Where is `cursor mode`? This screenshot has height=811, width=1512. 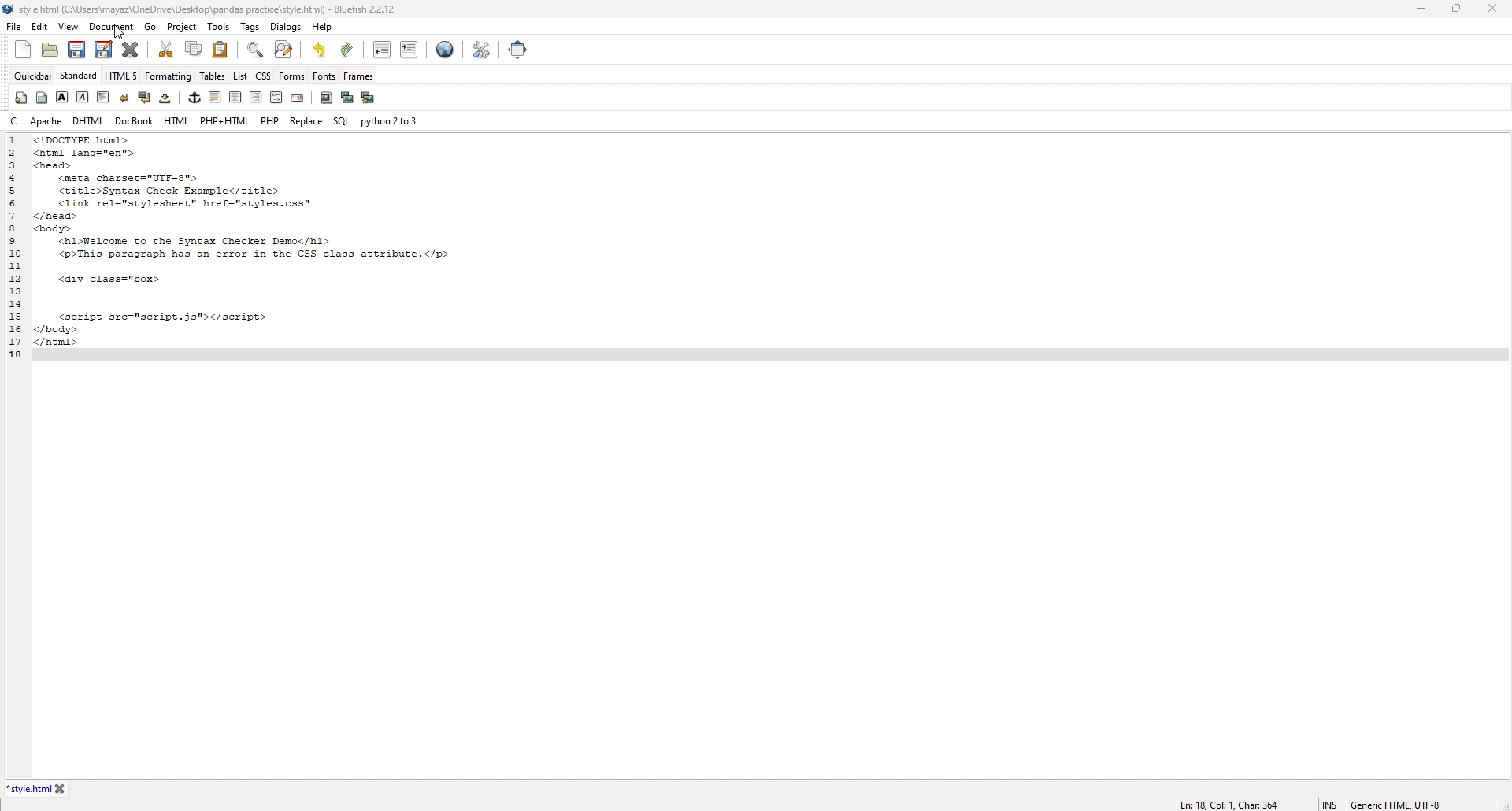 cursor mode is located at coordinates (1331, 805).